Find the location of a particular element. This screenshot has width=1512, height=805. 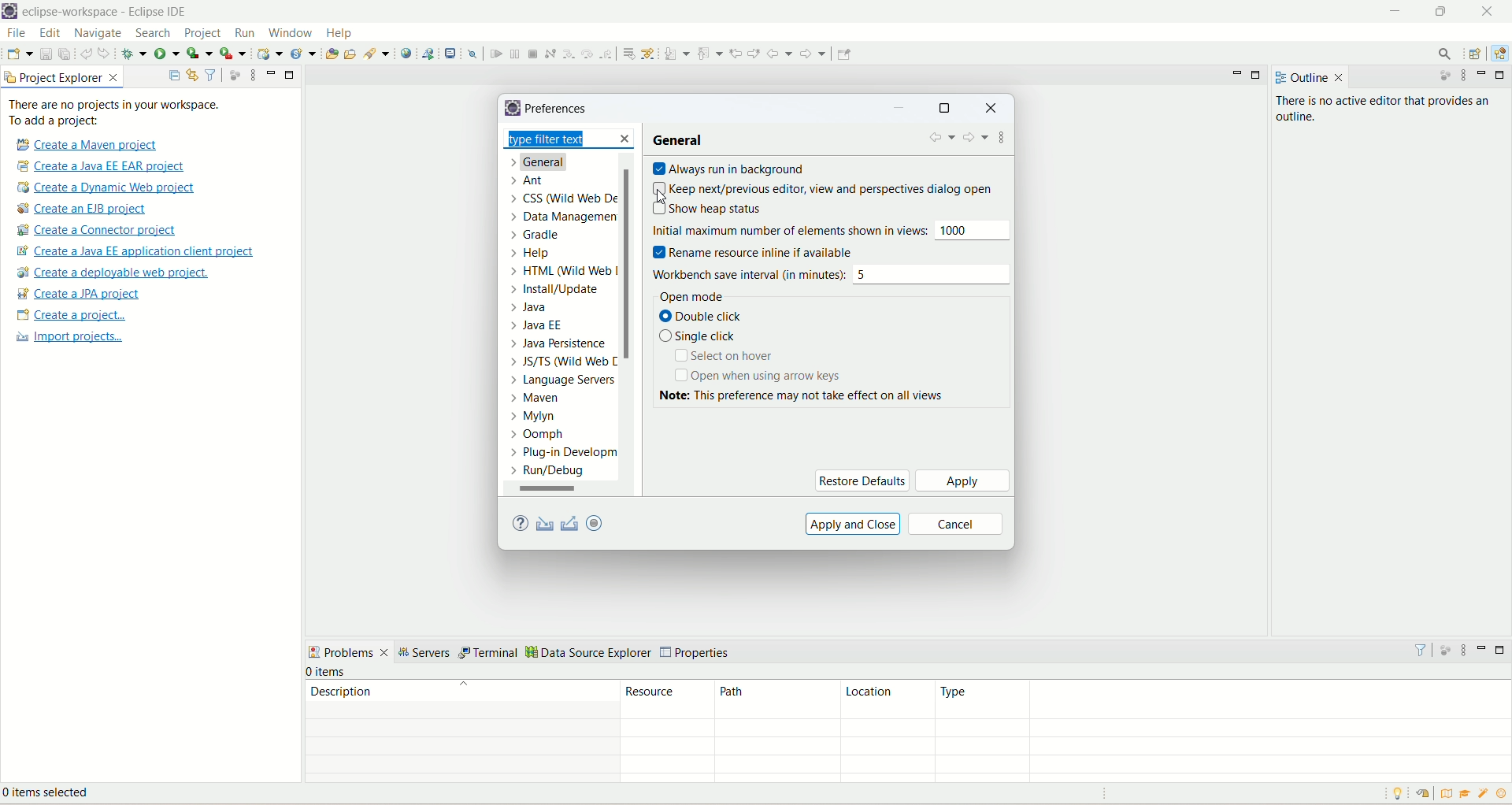

minimize is located at coordinates (271, 73).